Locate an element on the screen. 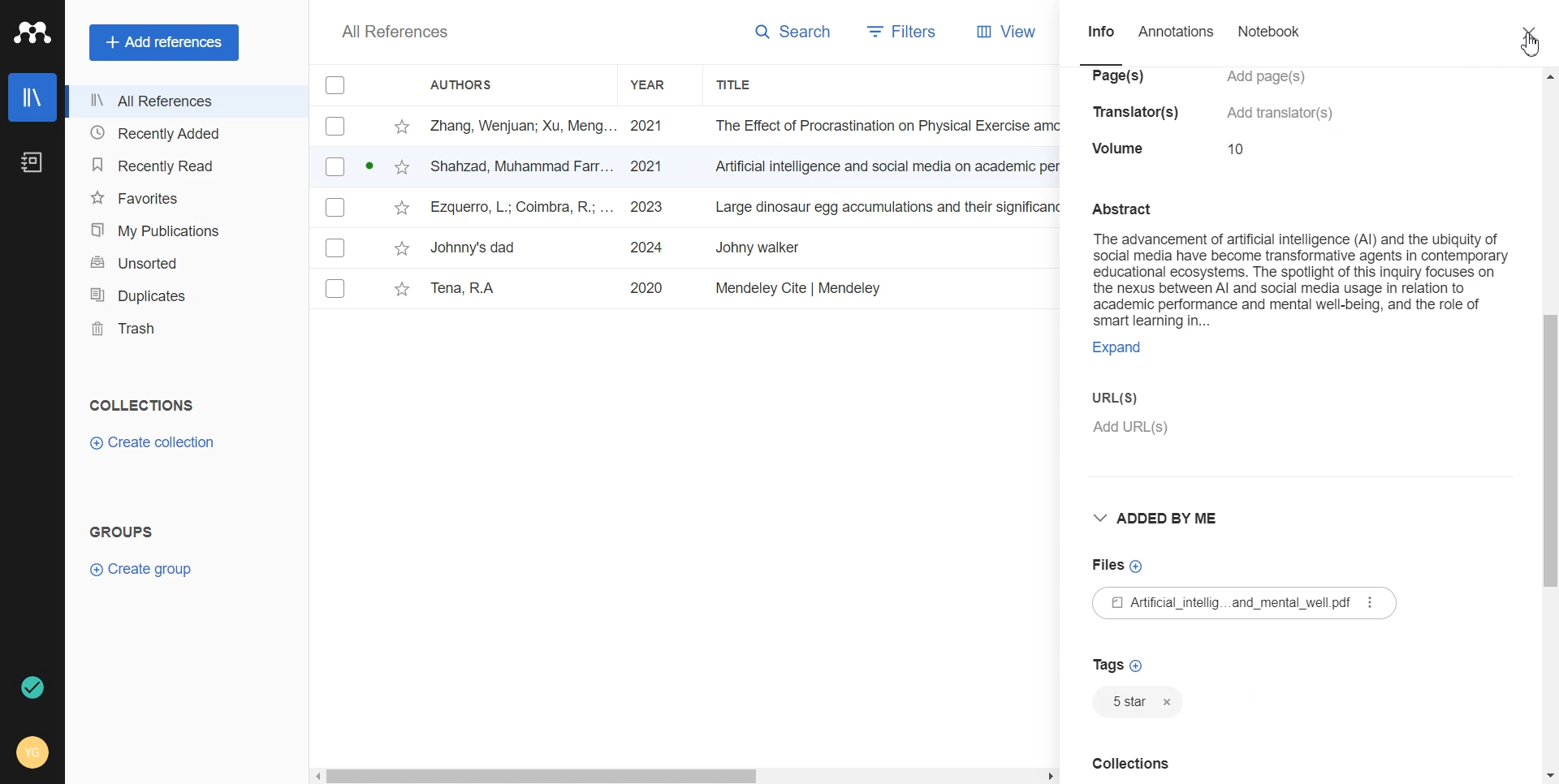  Duplicates is located at coordinates (184, 294).